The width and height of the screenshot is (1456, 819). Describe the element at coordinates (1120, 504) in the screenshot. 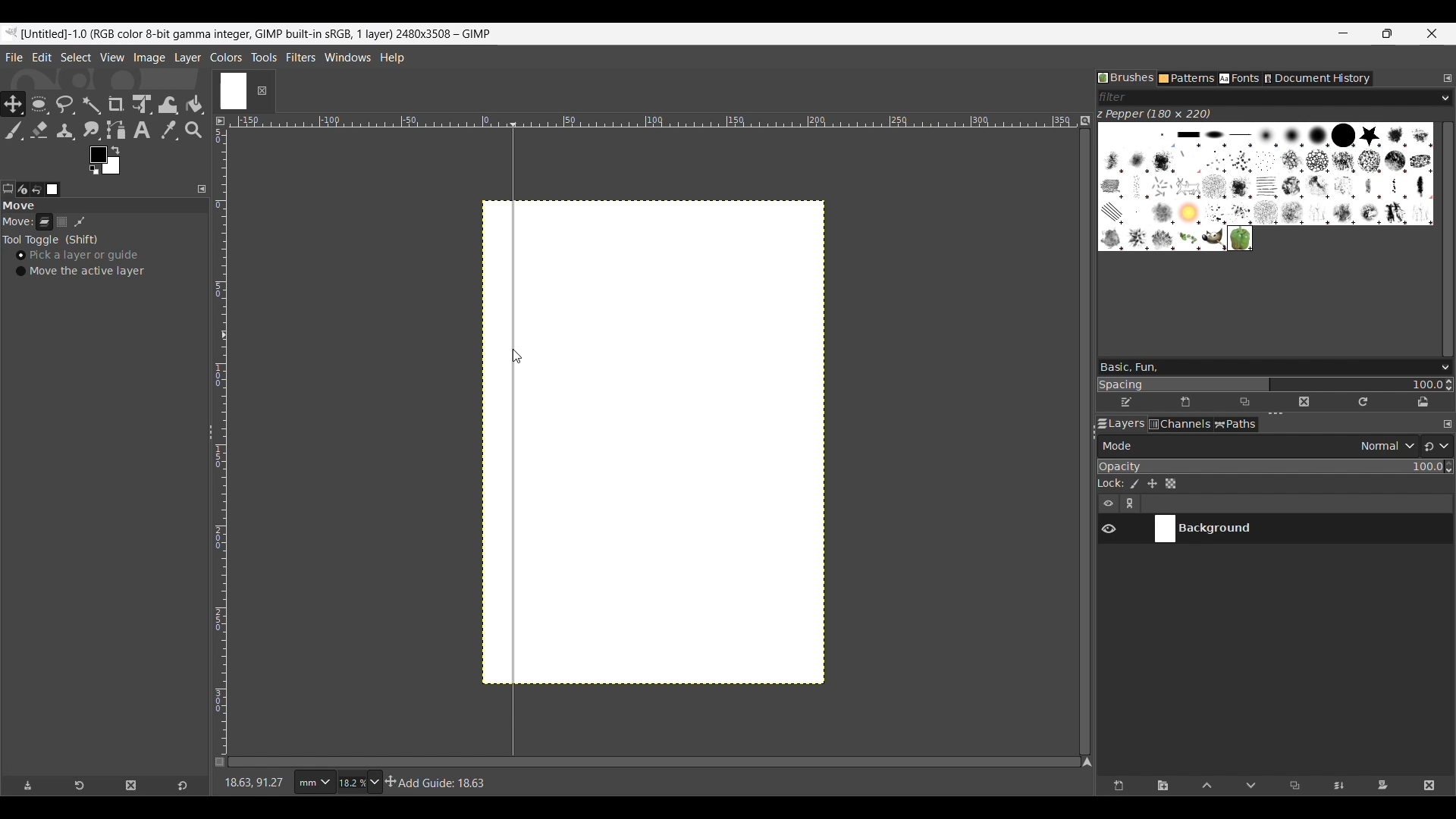

I see `Layer settings` at that location.